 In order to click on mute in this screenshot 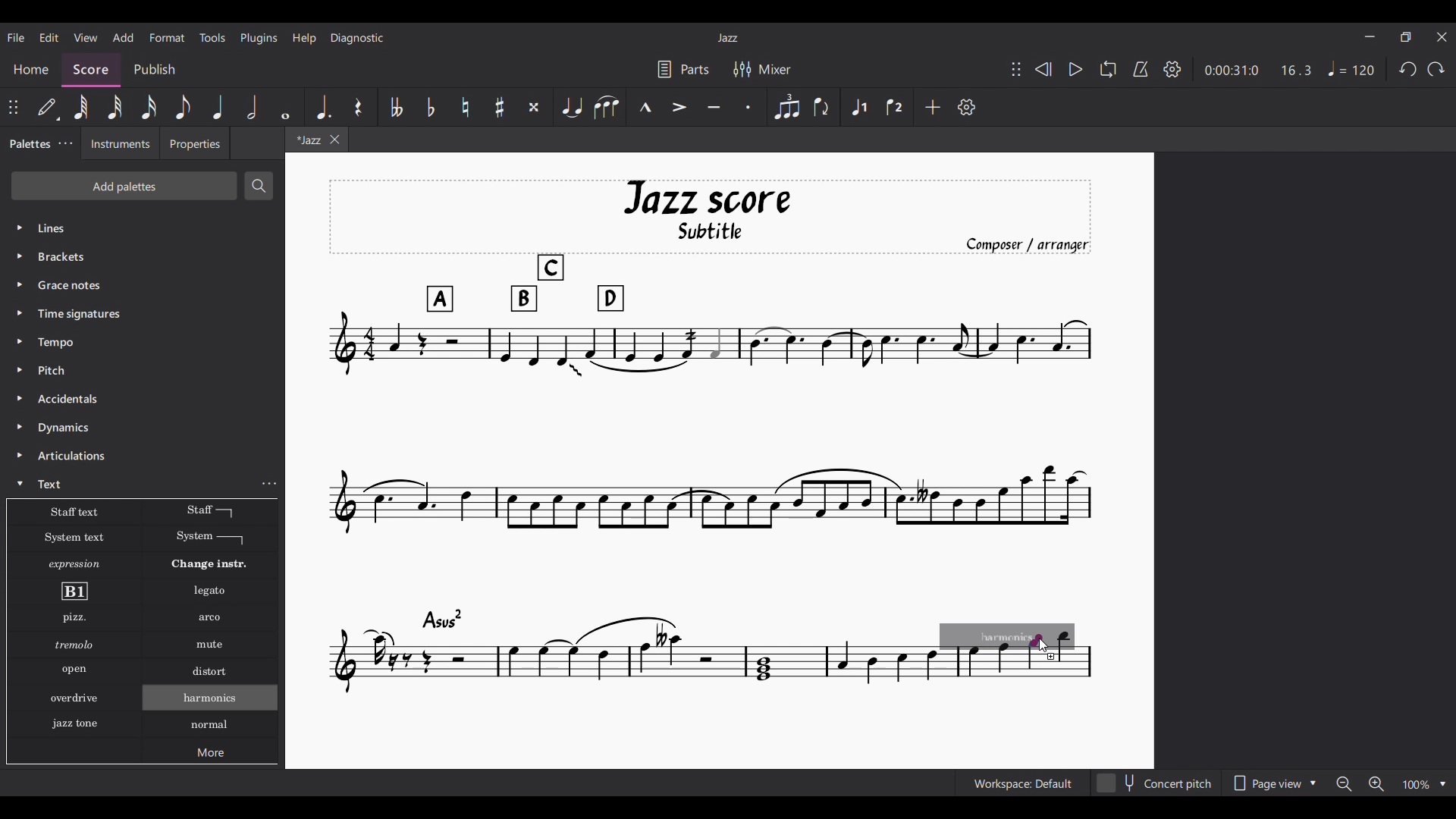, I will do `click(212, 646)`.